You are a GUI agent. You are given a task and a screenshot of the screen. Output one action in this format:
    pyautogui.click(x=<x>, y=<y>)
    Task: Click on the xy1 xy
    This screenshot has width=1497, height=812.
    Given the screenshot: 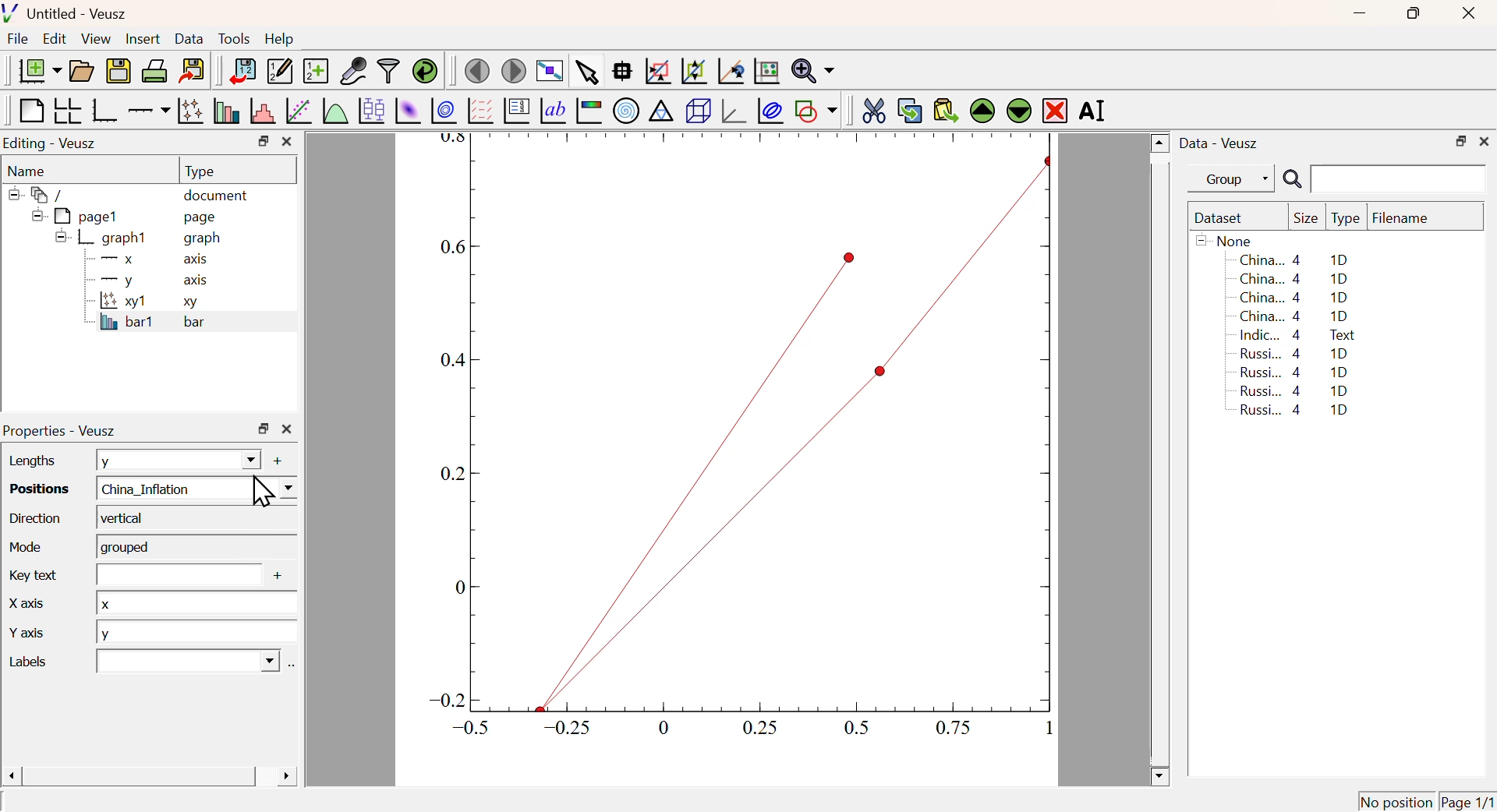 What is the action you would take?
    pyautogui.click(x=145, y=302)
    